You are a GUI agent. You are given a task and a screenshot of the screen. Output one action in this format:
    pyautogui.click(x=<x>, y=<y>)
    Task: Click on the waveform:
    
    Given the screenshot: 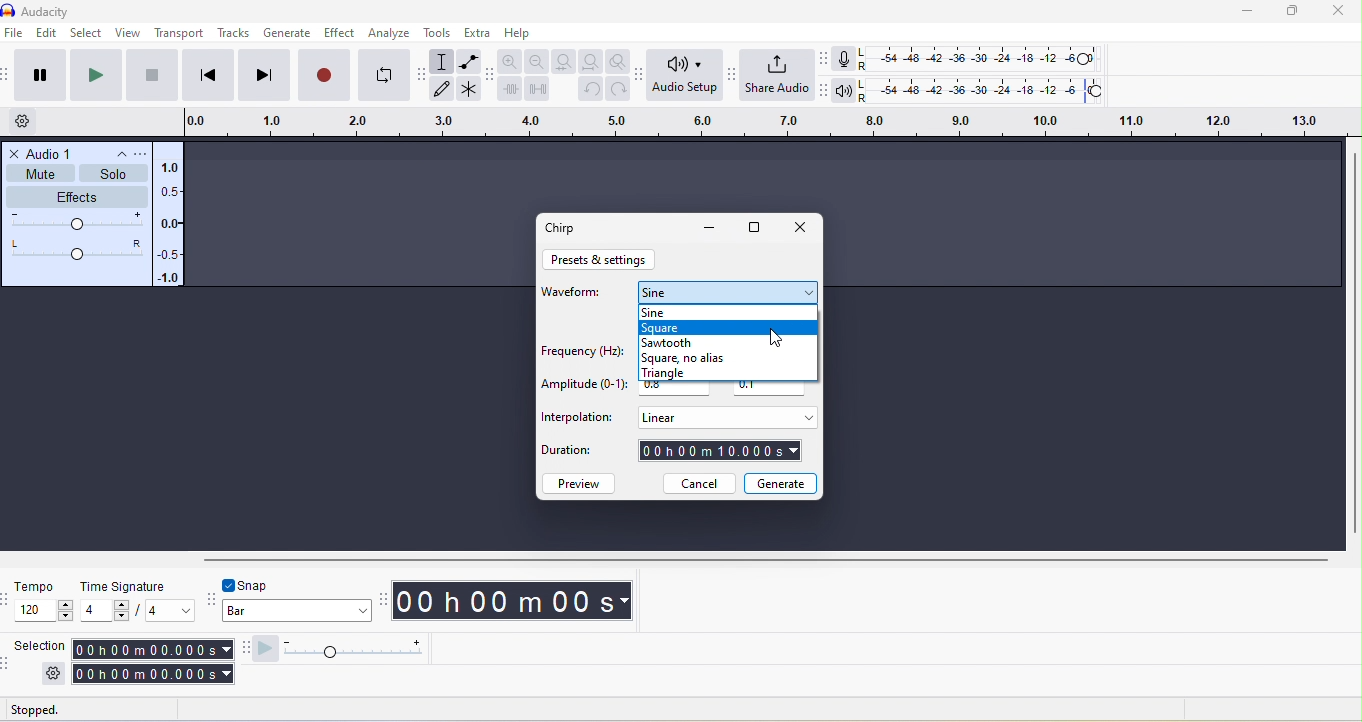 What is the action you would take?
    pyautogui.click(x=576, y=297)
    